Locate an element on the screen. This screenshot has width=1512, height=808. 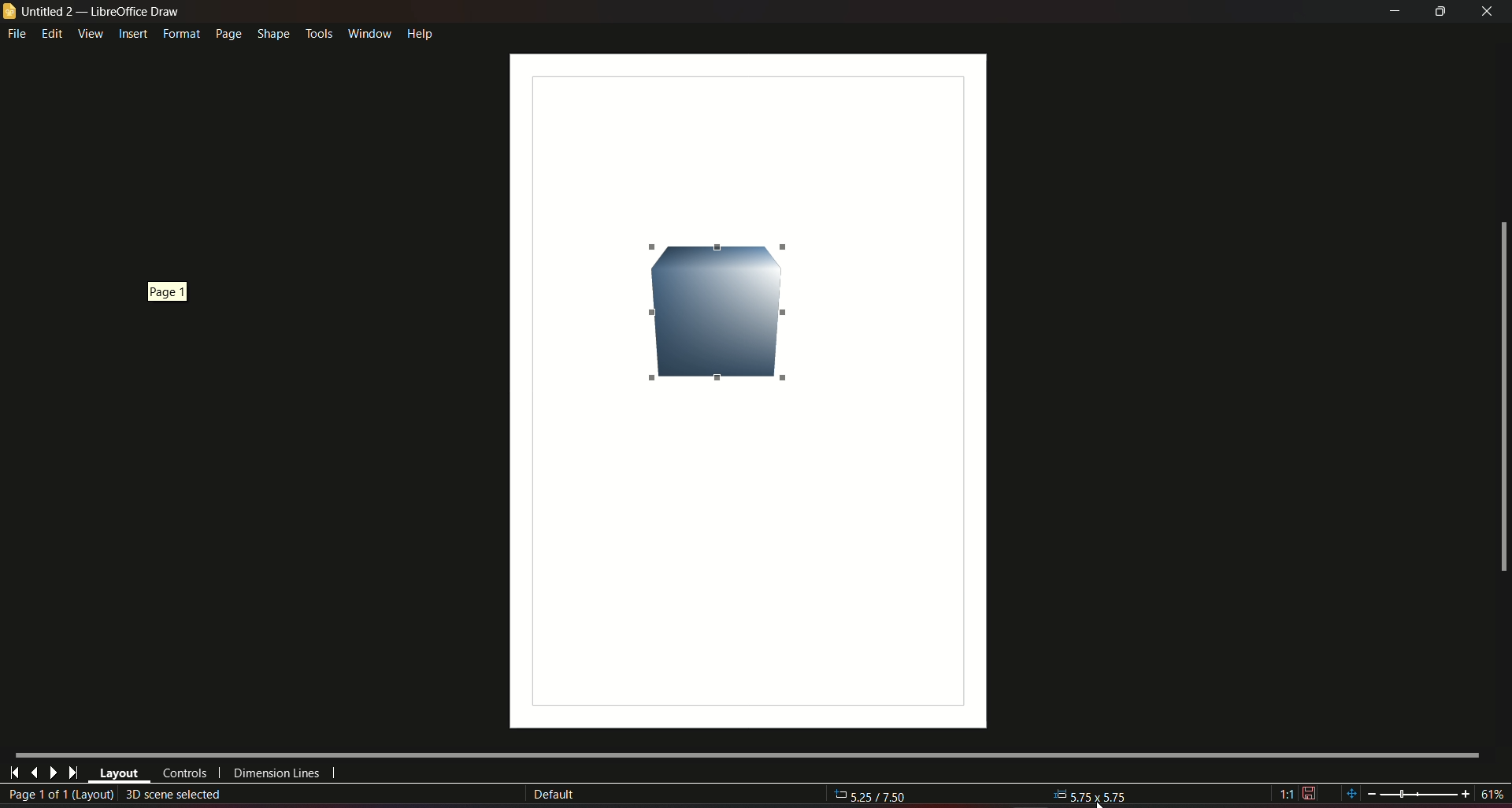
minimize/maximize is located at coordinates (1440, 12).